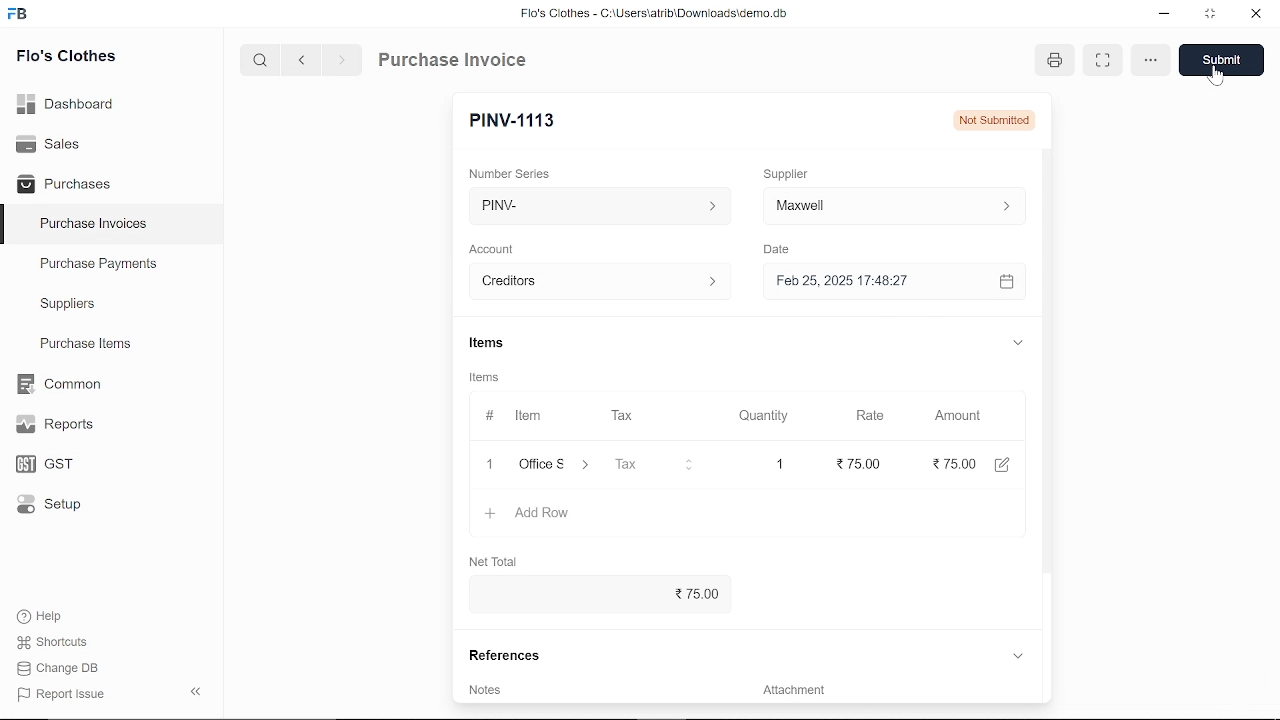 The width and height of the screenshot is (1280, 720). Describe the element at coordinates (1009, 282) in the screenshot. I see `calender` at that location.